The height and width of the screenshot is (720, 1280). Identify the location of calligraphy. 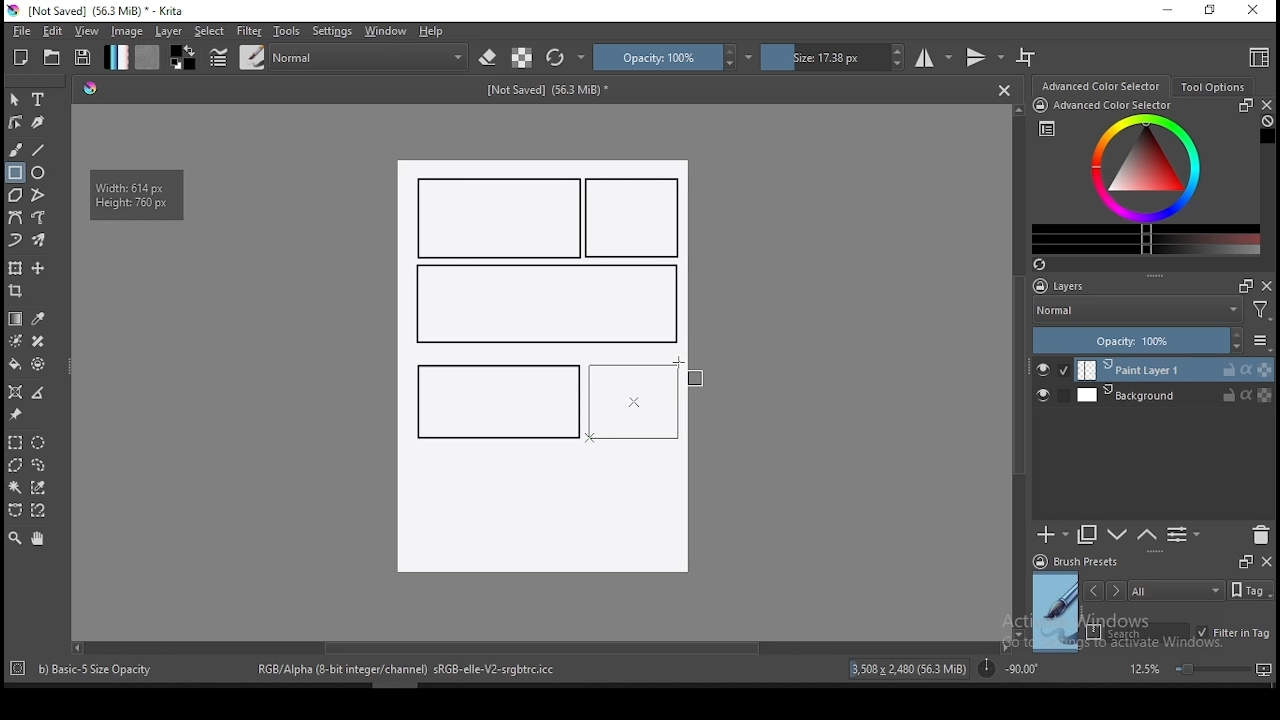
(39, 121).